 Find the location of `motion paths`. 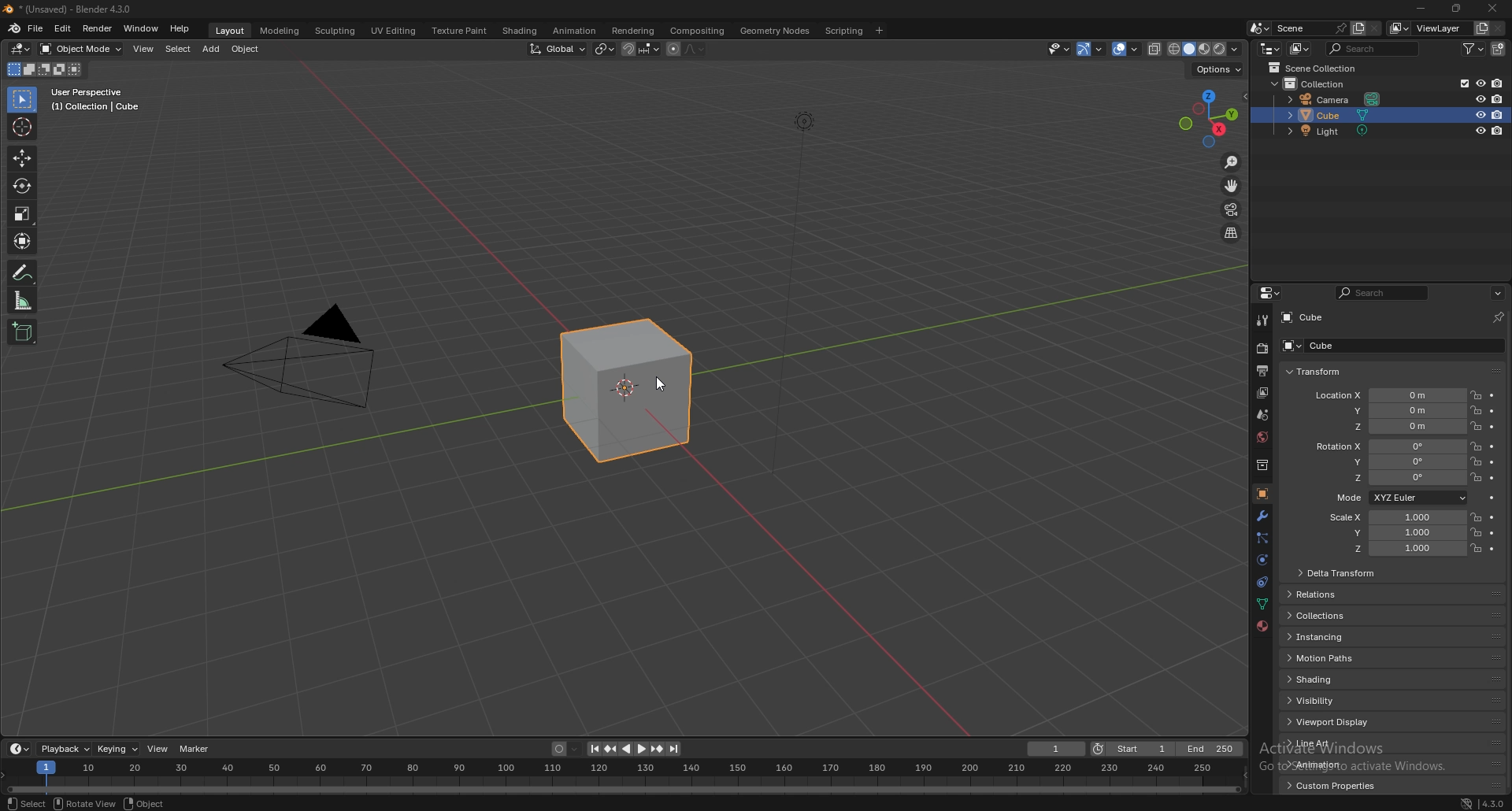

motion paths is located at coordinates (1329, 658).